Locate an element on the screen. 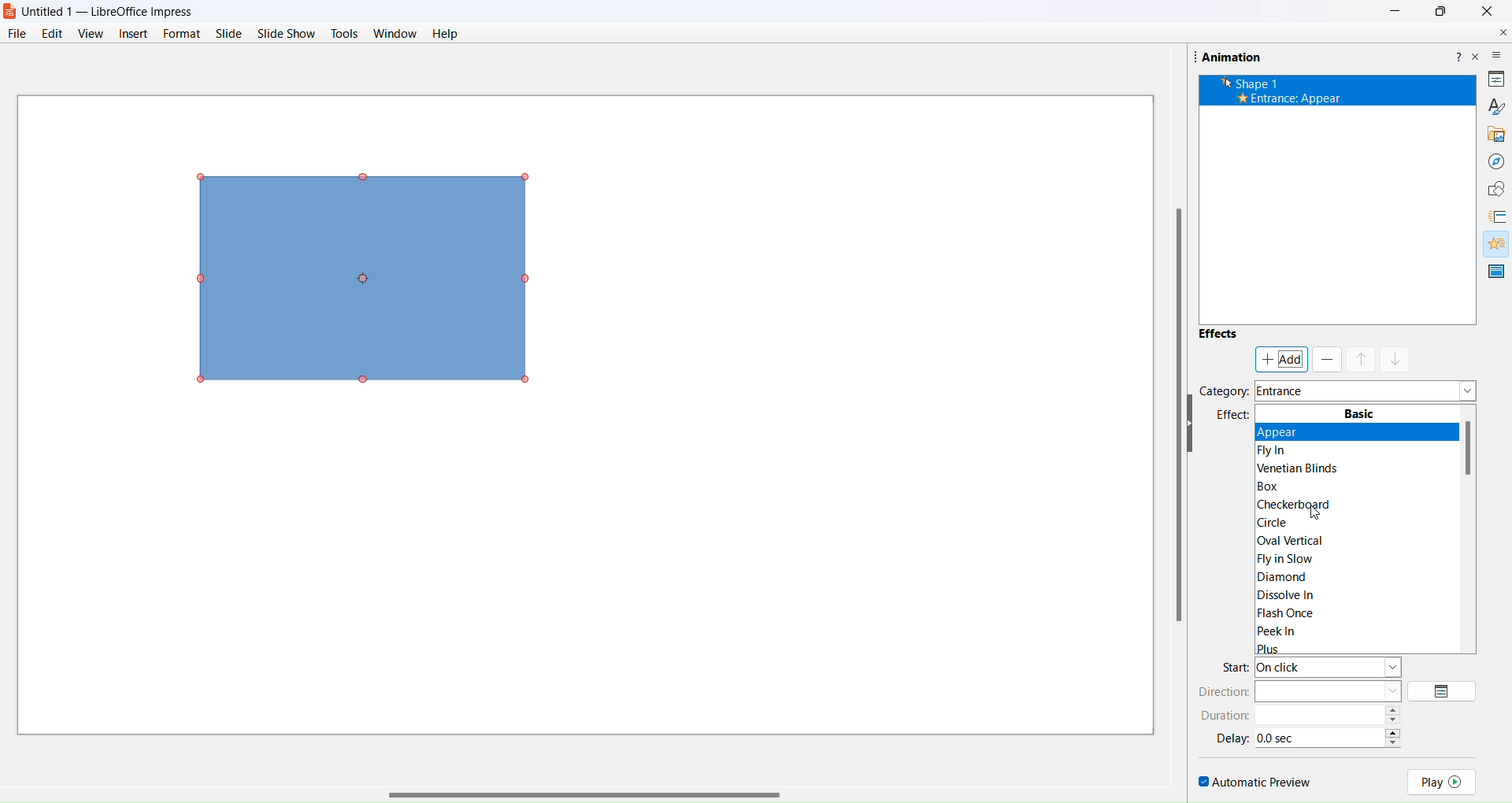 This screenshot has height=803, width=1512. Plus is located at coordinates (1324, 646).